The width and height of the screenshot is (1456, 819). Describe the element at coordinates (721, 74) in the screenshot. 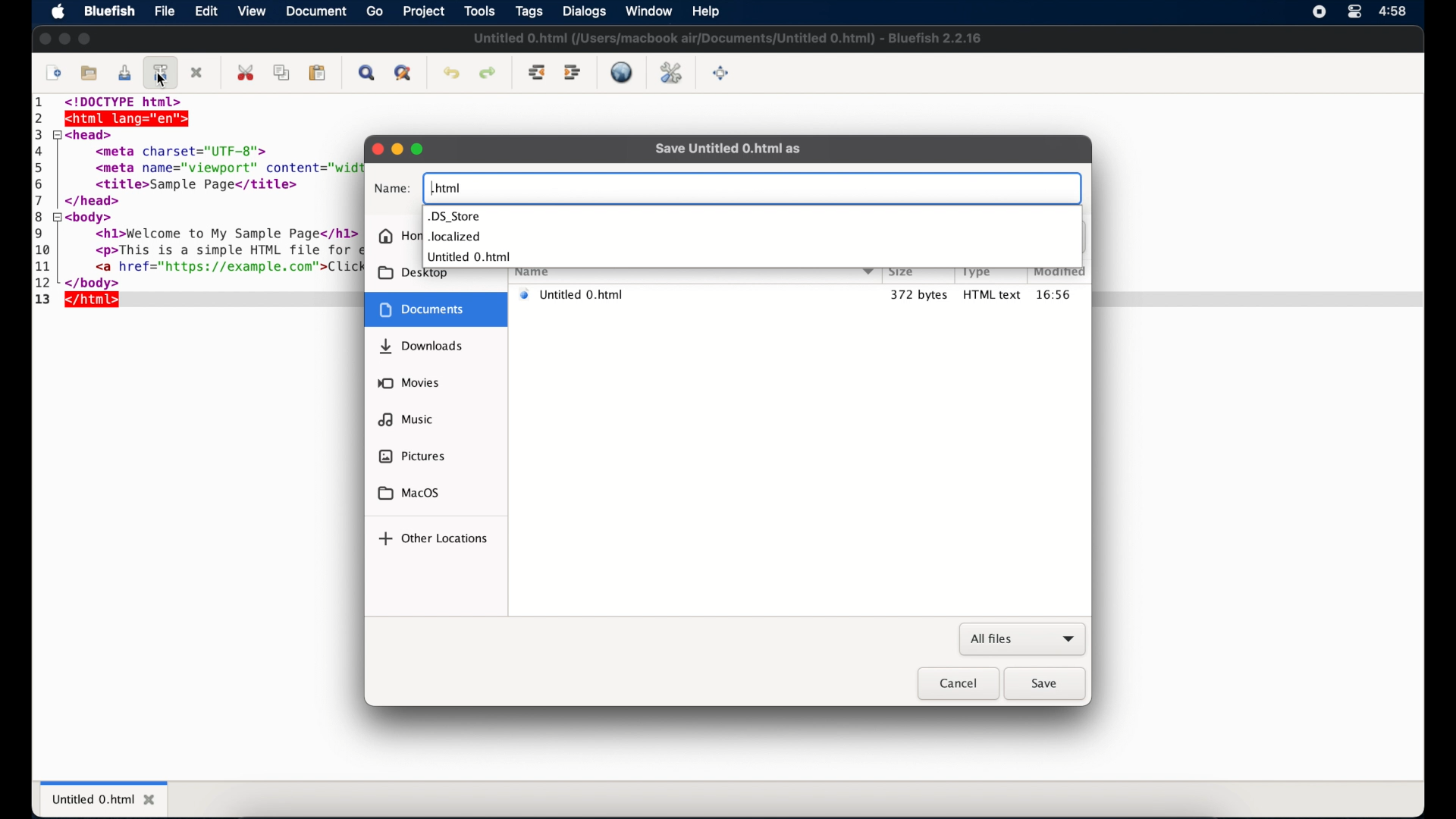

I see `full screen` at that location.